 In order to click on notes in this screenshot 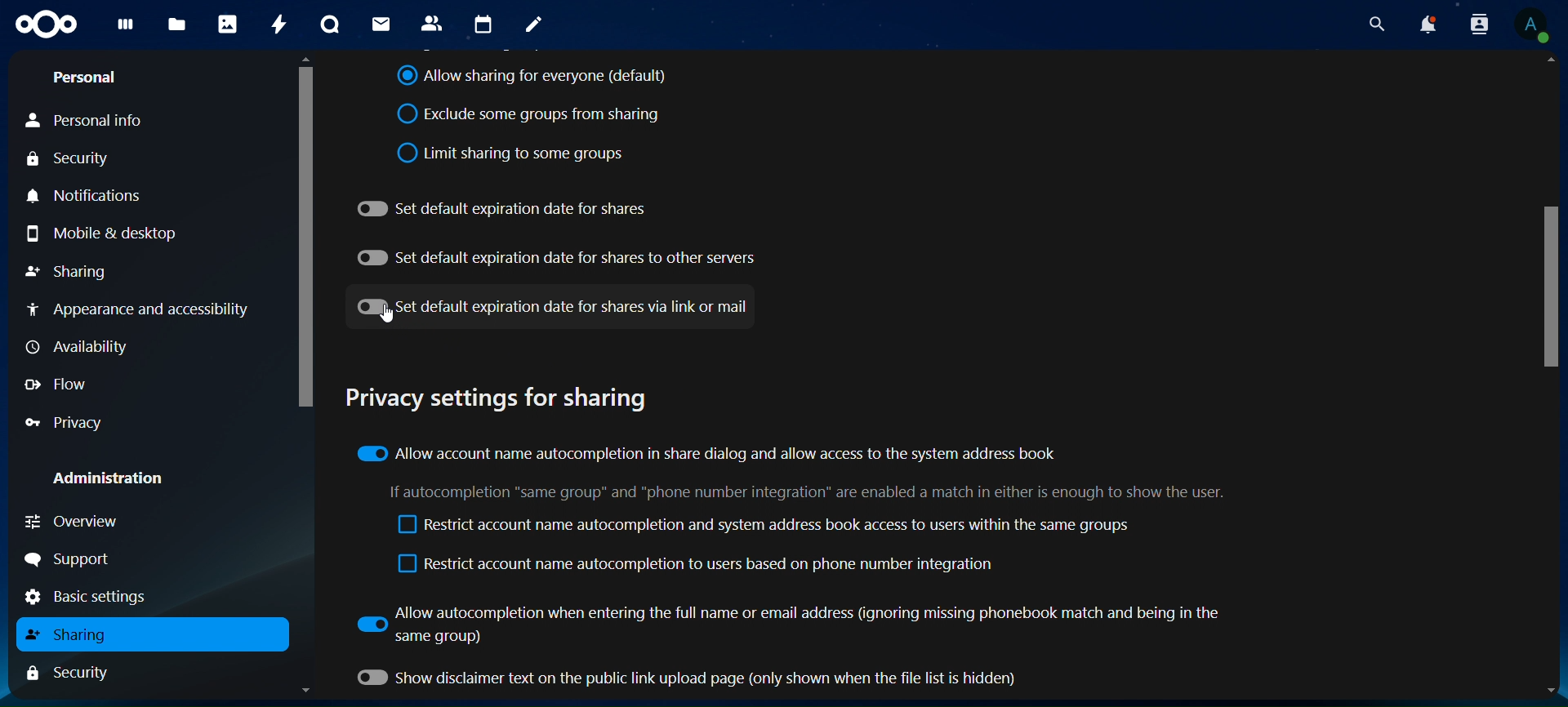, I will do `click(532, 26)`.